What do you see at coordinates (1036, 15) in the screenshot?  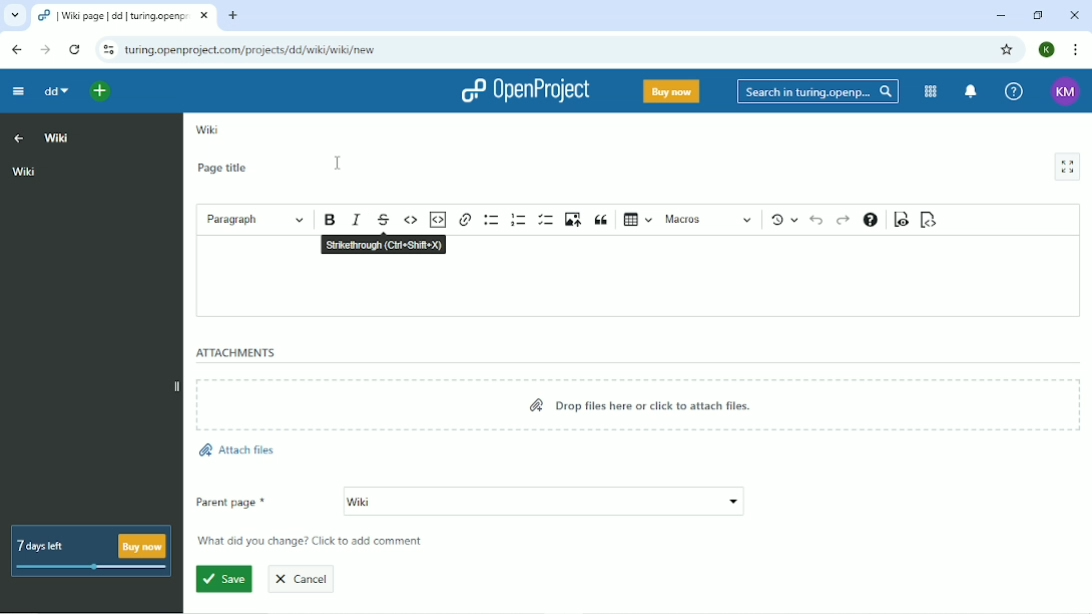 I see `Restore down` at bounding box center [1036, 15].